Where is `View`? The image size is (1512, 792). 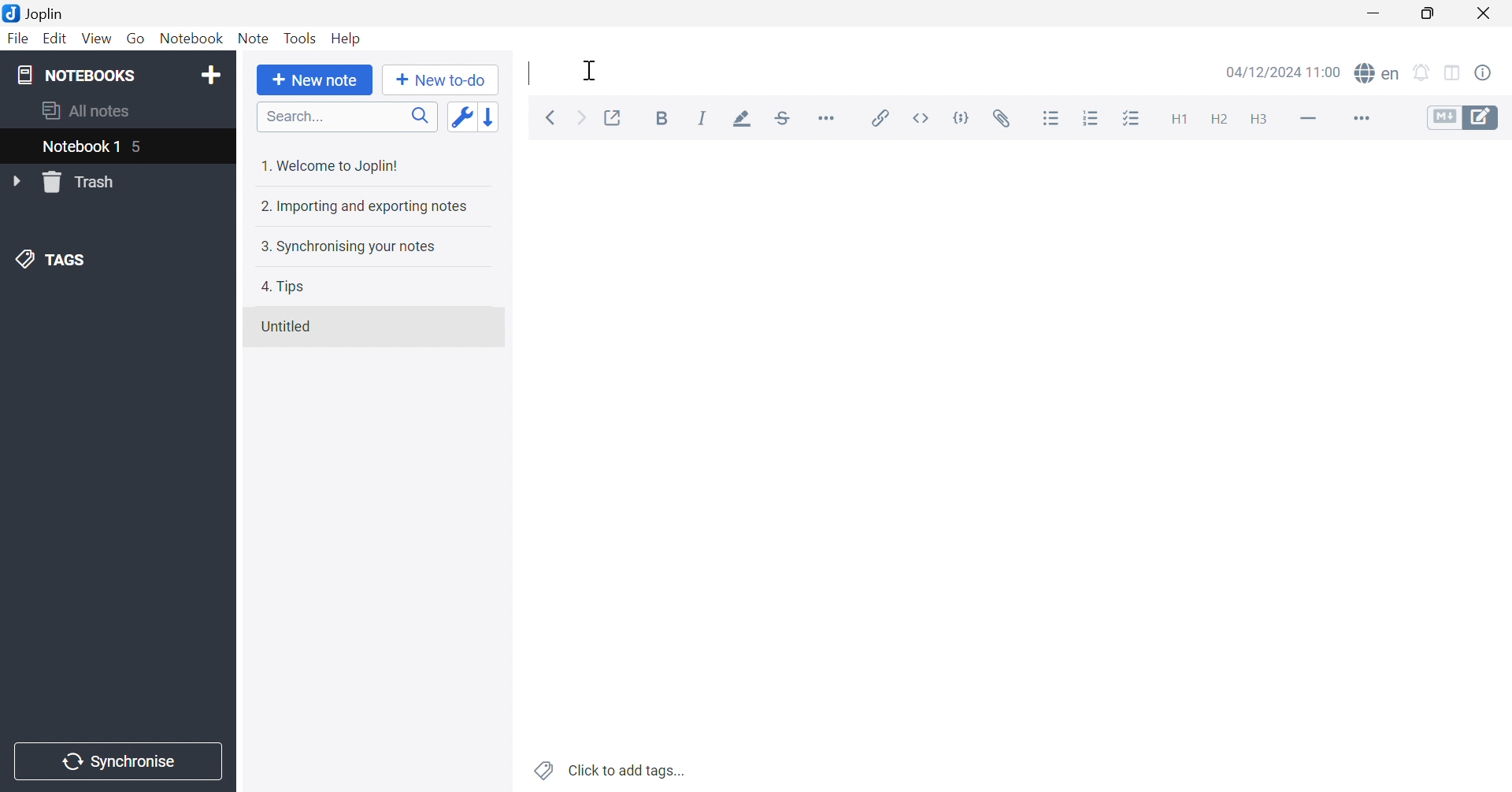
View is located at coordinates (95, 39).